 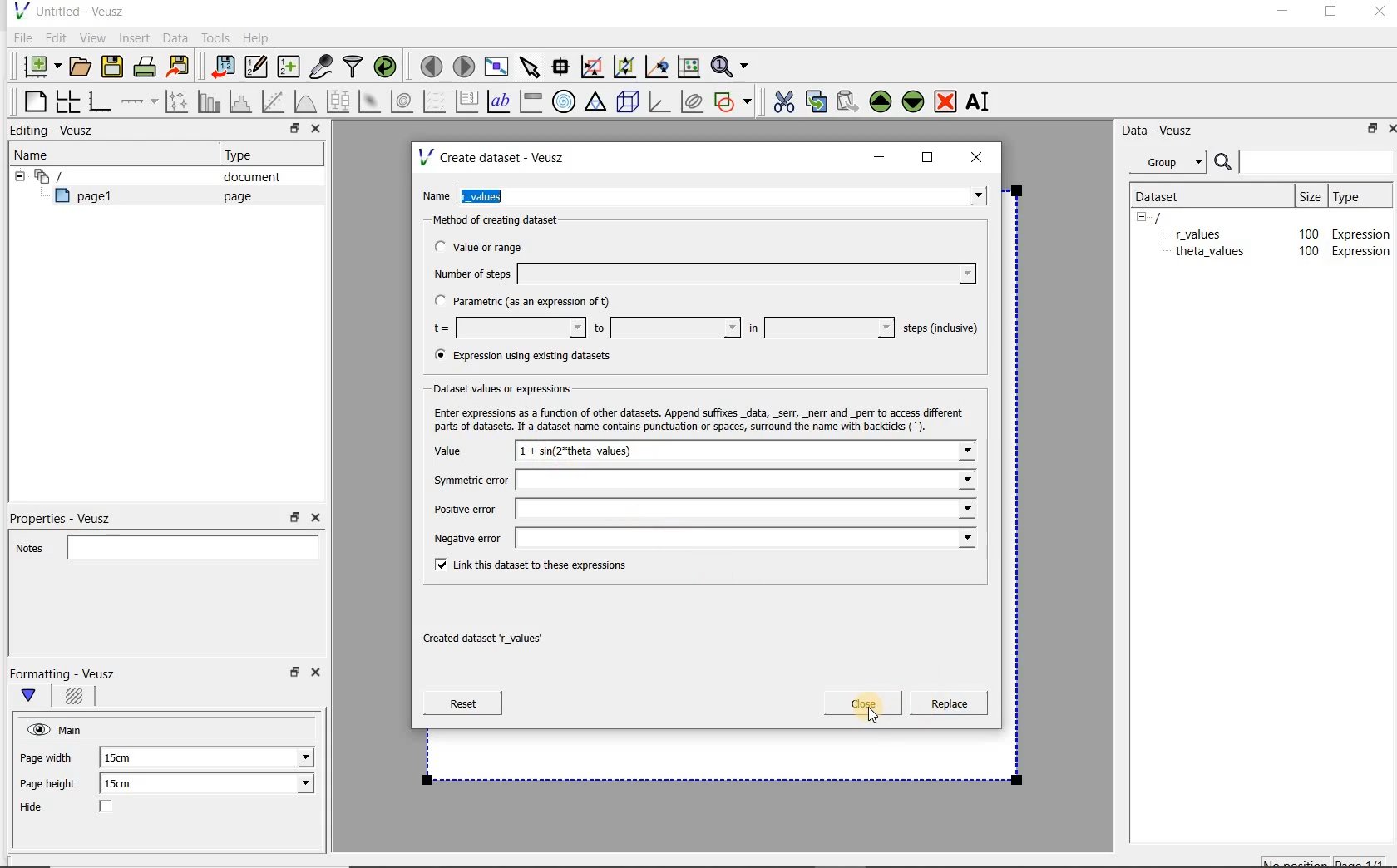 What do you see at coordinates (304, 101) in the screenshot?
I see `plot a function` at bounding box center [304, 101].